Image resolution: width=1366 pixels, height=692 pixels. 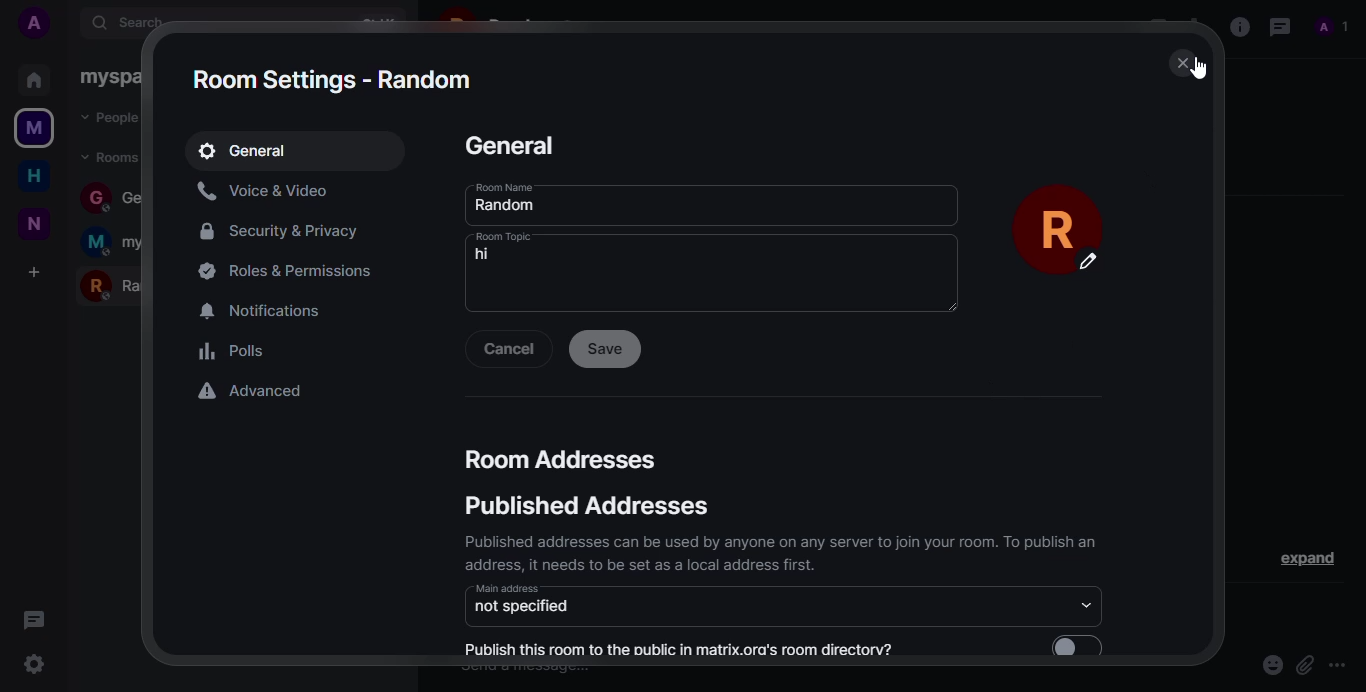 What do you see at coordinates (1332, 29) in the screenshot?
I see `profile` at bounding box center [1332, 29].